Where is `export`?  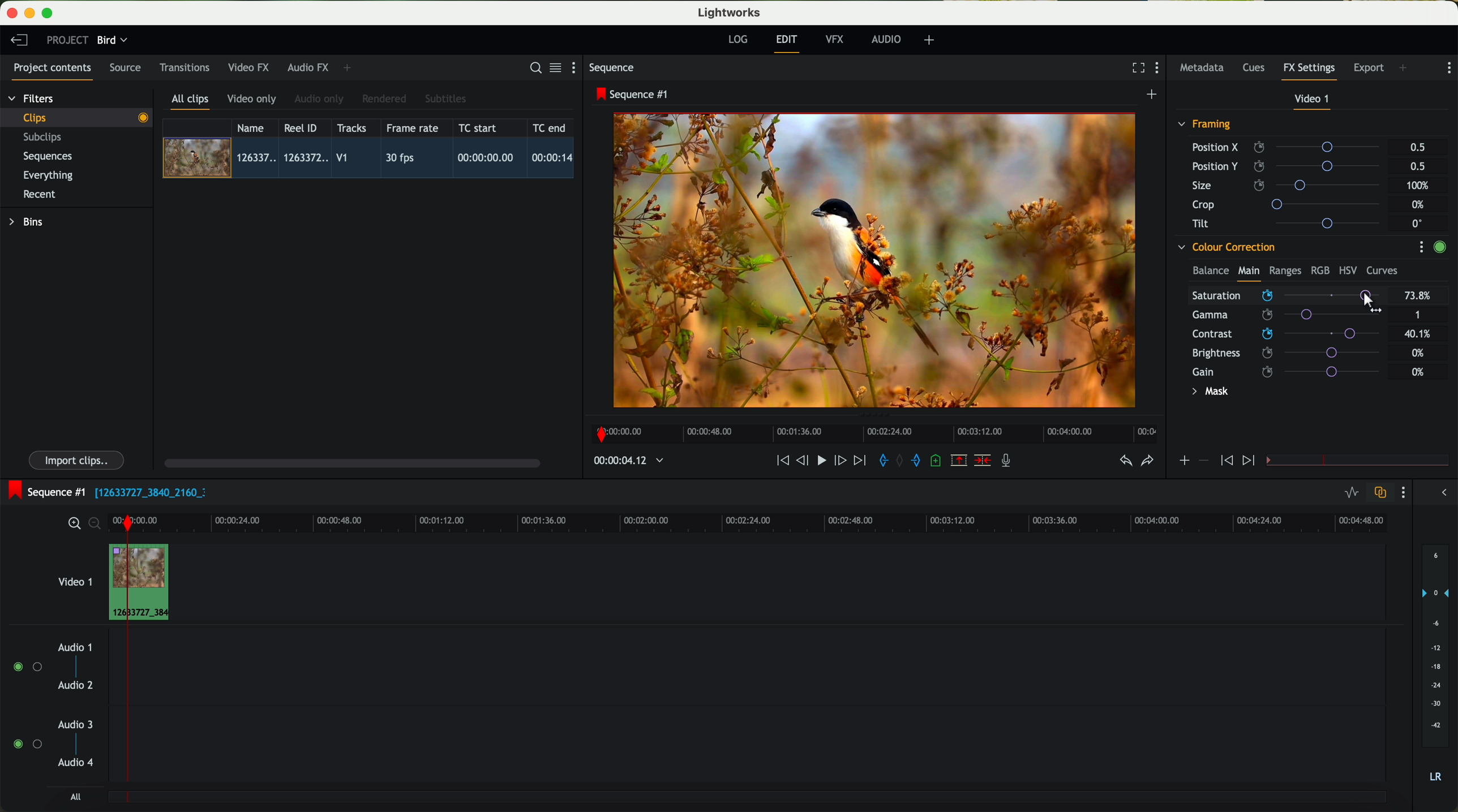 export is located at coordinates (1369, 69).